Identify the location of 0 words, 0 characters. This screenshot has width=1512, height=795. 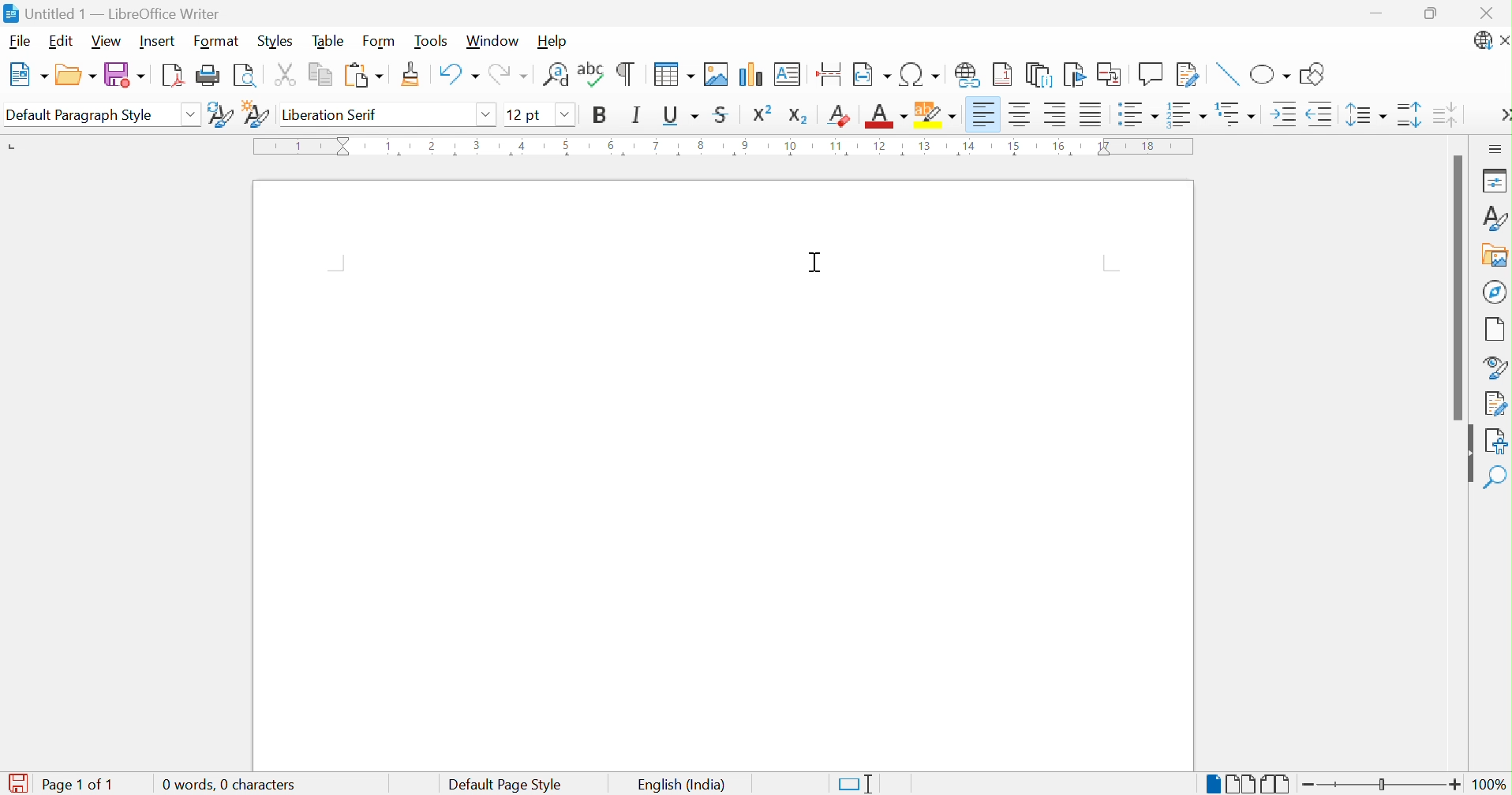
(229, 784).